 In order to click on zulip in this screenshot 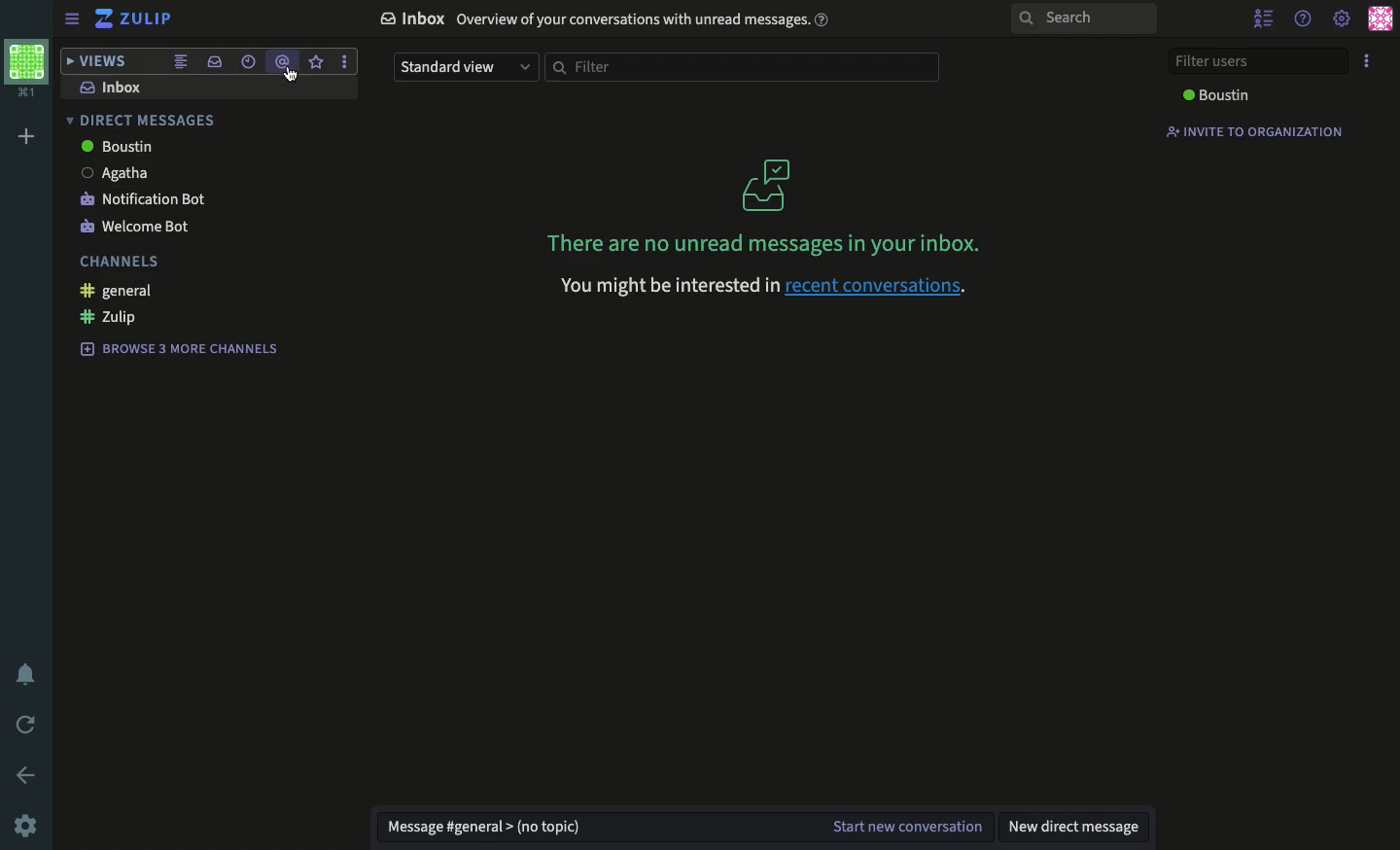, I will do `click(137, 18)`.